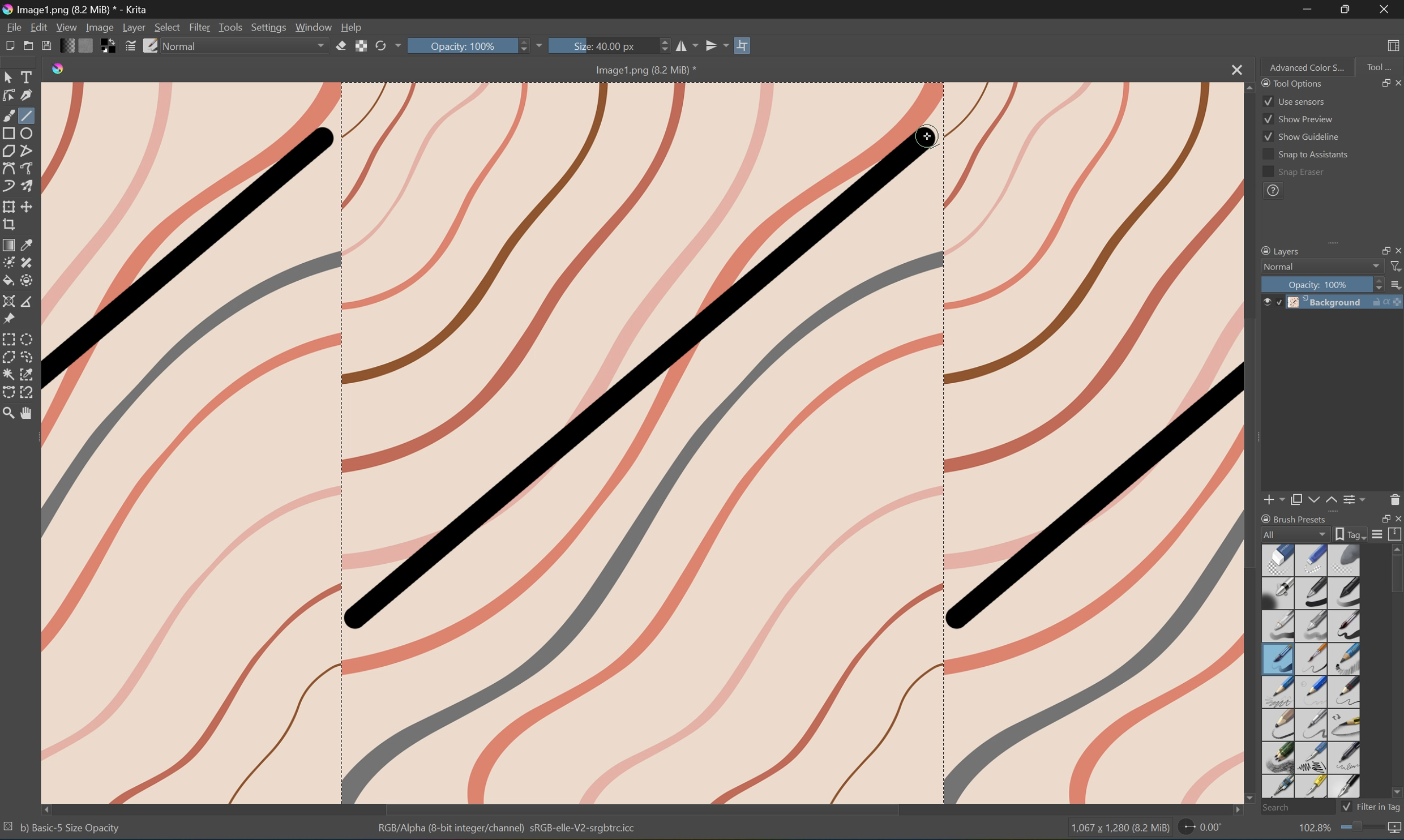  What do you see at coordinates (661, 46) in the screenshot?
I see `Slider` at bounding box center [661, 46].